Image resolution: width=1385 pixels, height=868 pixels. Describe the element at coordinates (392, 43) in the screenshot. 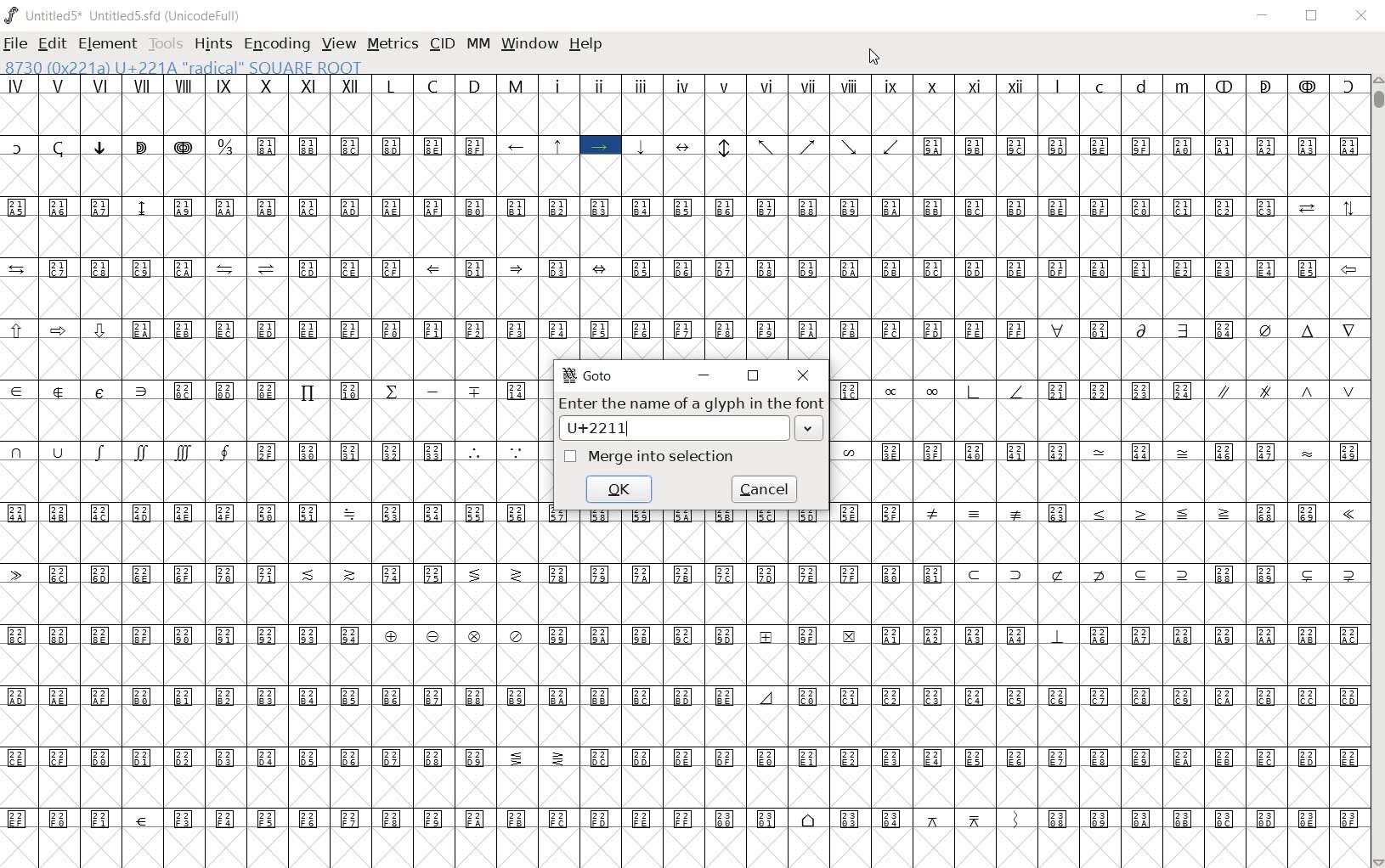

I see `METRICS` at that location.